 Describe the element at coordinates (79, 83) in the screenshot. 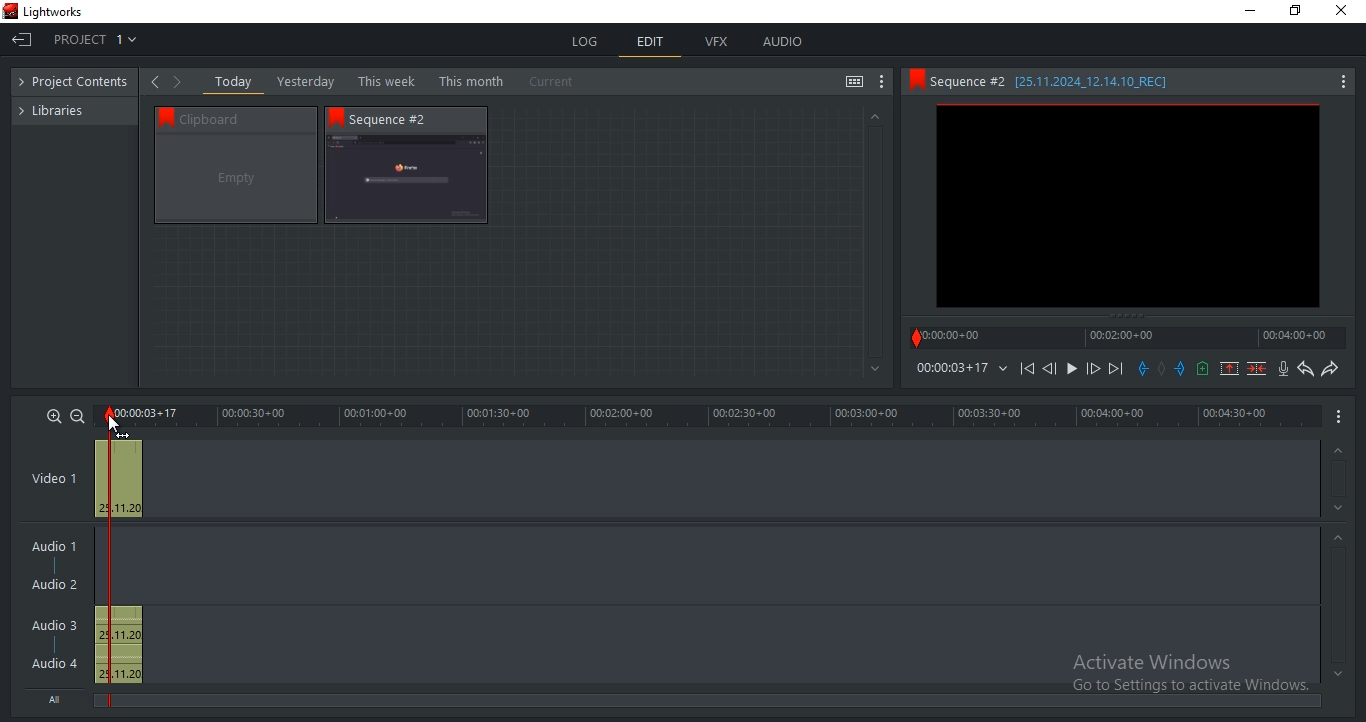

I see `project` at that location.